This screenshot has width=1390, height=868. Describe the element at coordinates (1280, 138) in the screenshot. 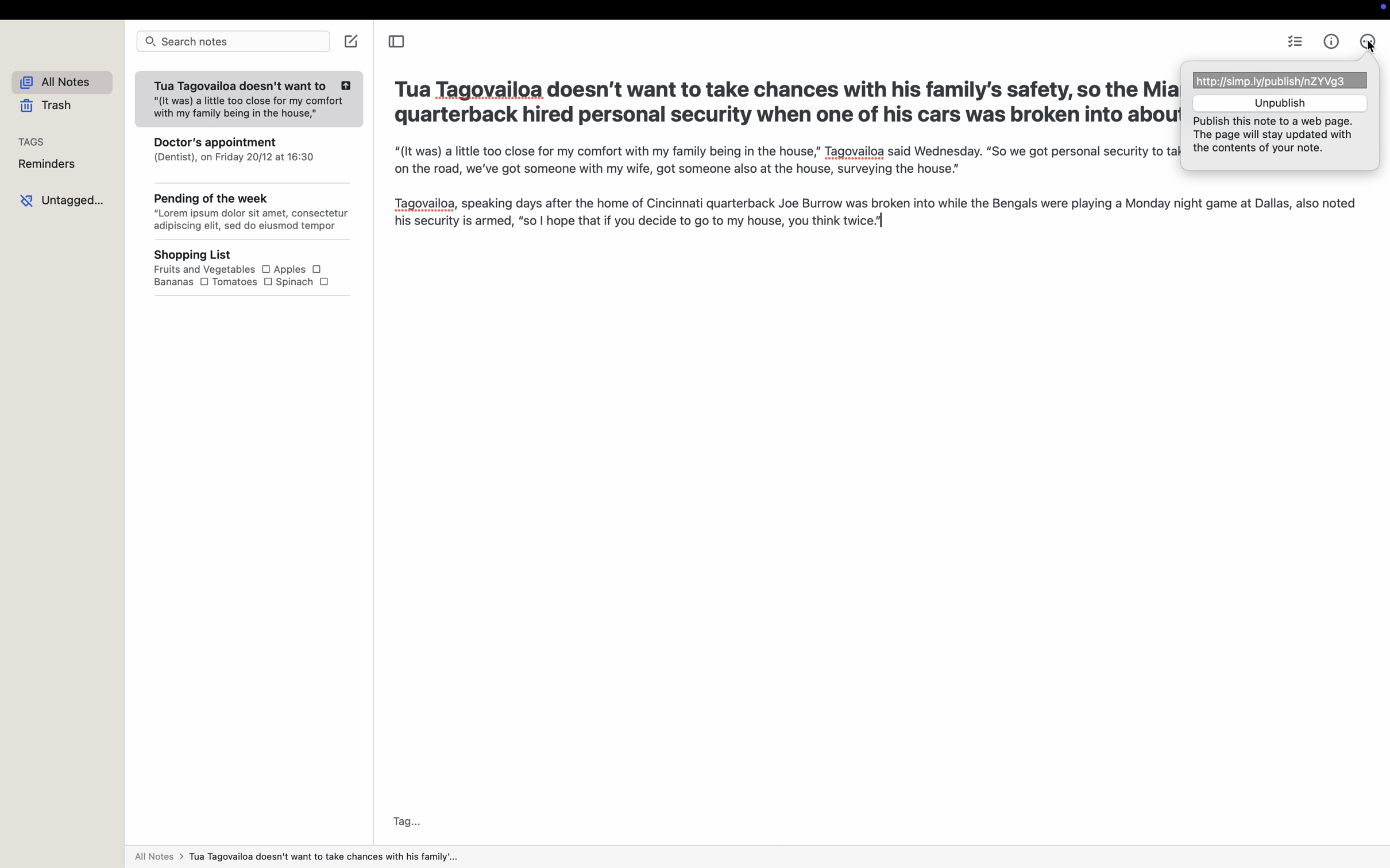

I see `'!" Publish this note to a web page.
The page will stay updated with
Yi the contents of your note.` at that location.